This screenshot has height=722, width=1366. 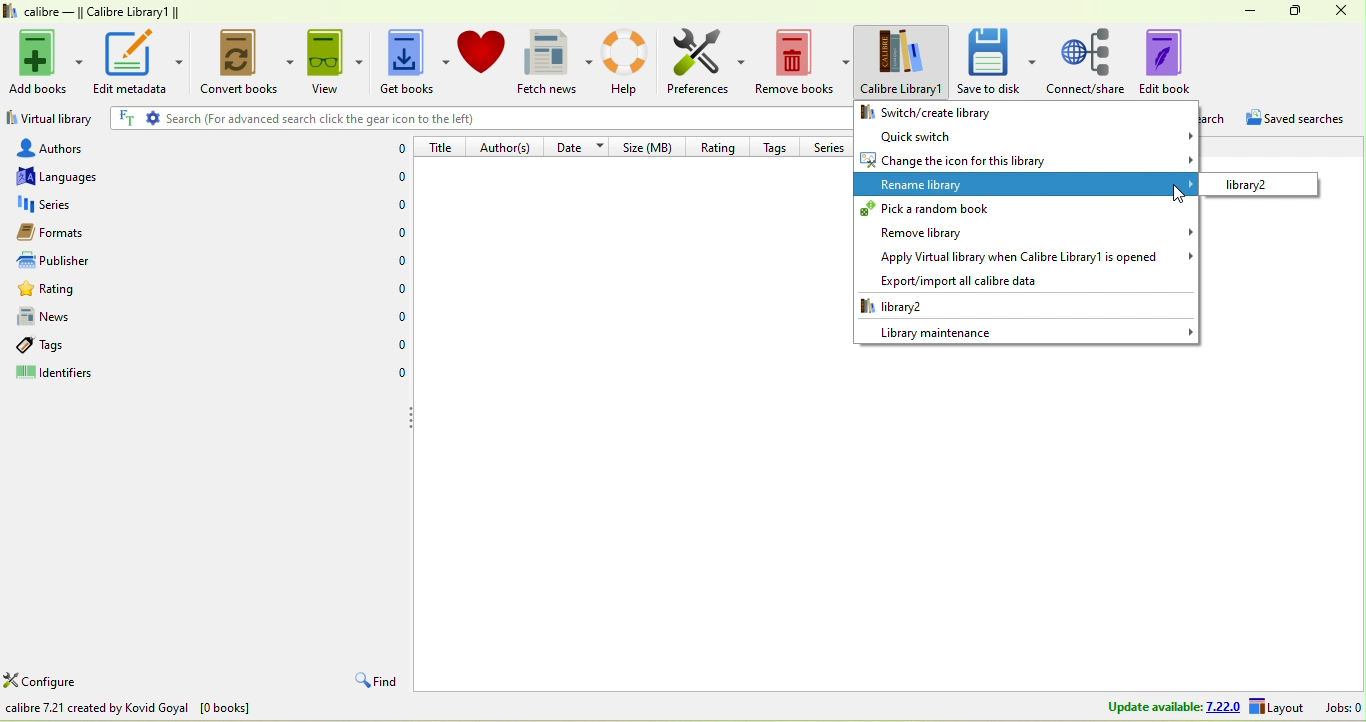 What do you see at coordinates (1026, 160) in the screenshot?
I see `change the icon for this library` at bounding box center [1026, 160].